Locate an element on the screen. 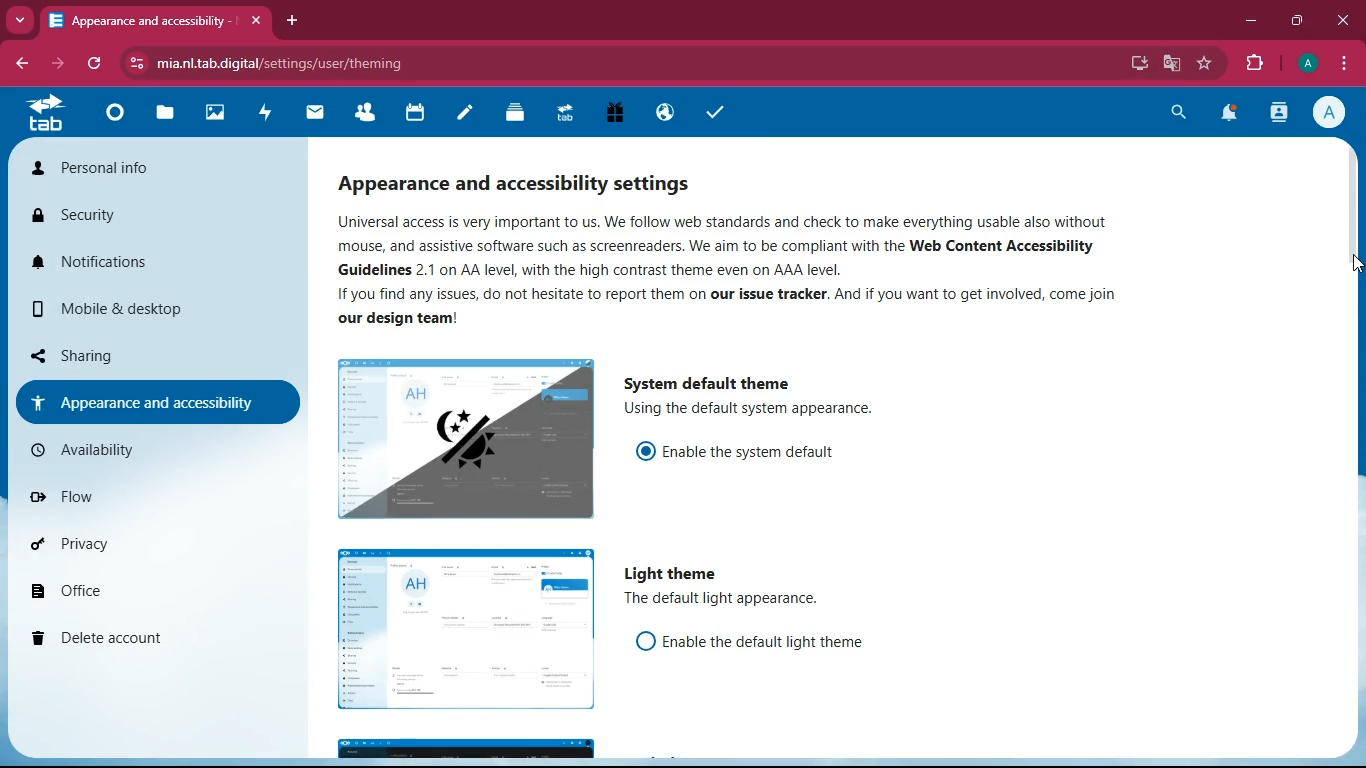 The width and height of the screenshot is (1366, 768). scroll bar is located at coordinates (1348, 212).